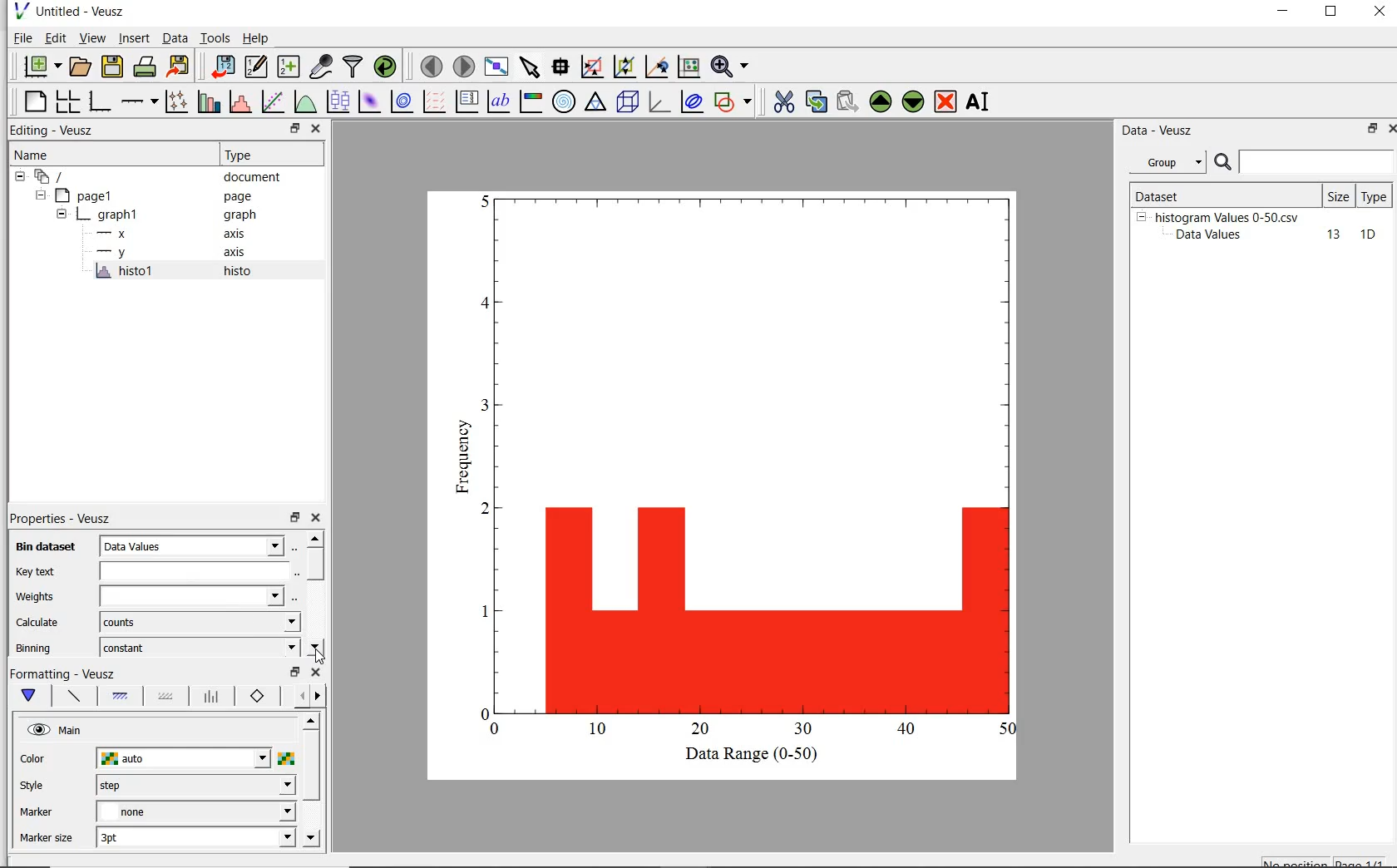 The width and height of the screenshot is (1397, 868). I want to click on main formatting, so click(32, 696).